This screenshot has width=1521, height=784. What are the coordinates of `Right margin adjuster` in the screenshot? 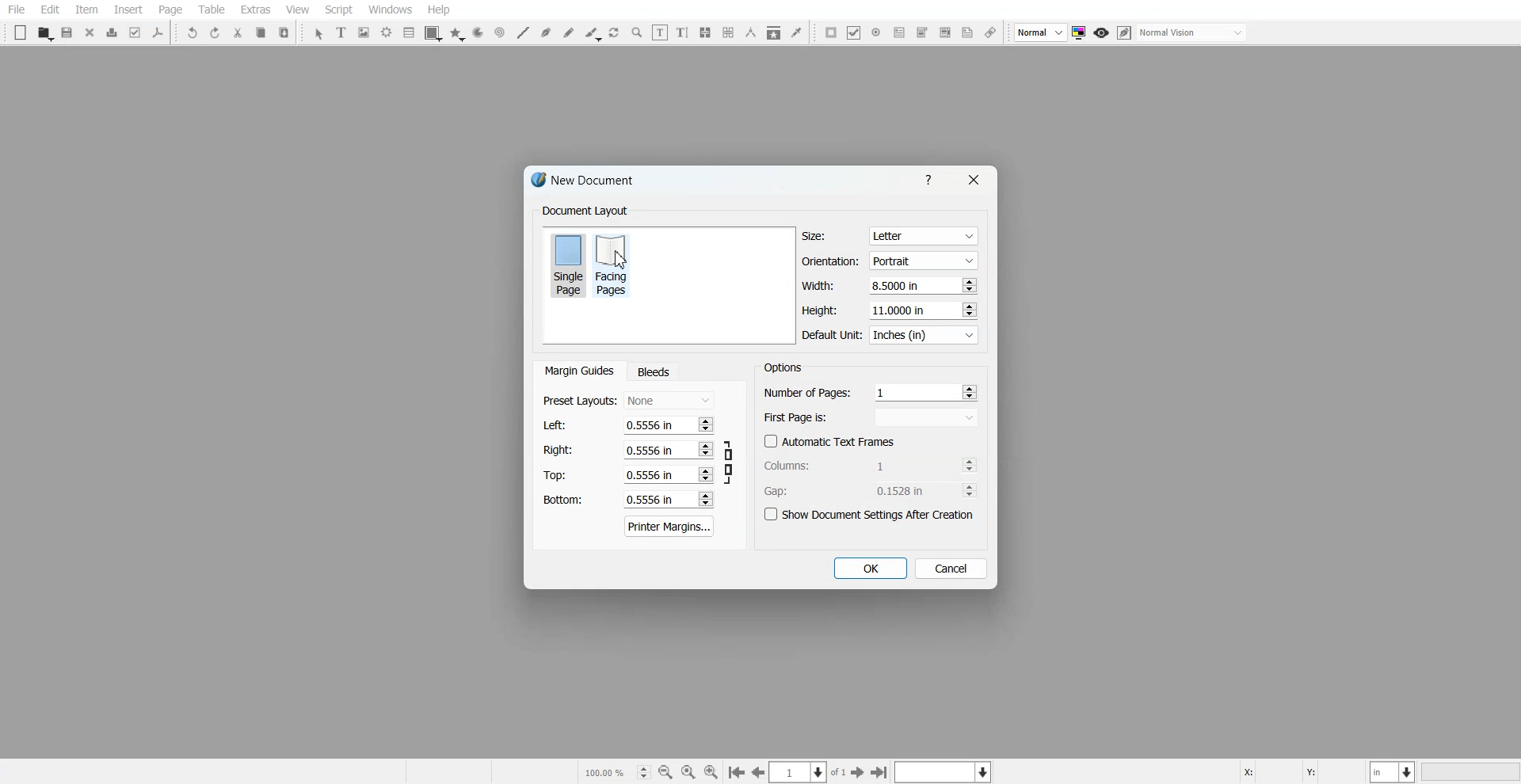 It's located at (629, 450).